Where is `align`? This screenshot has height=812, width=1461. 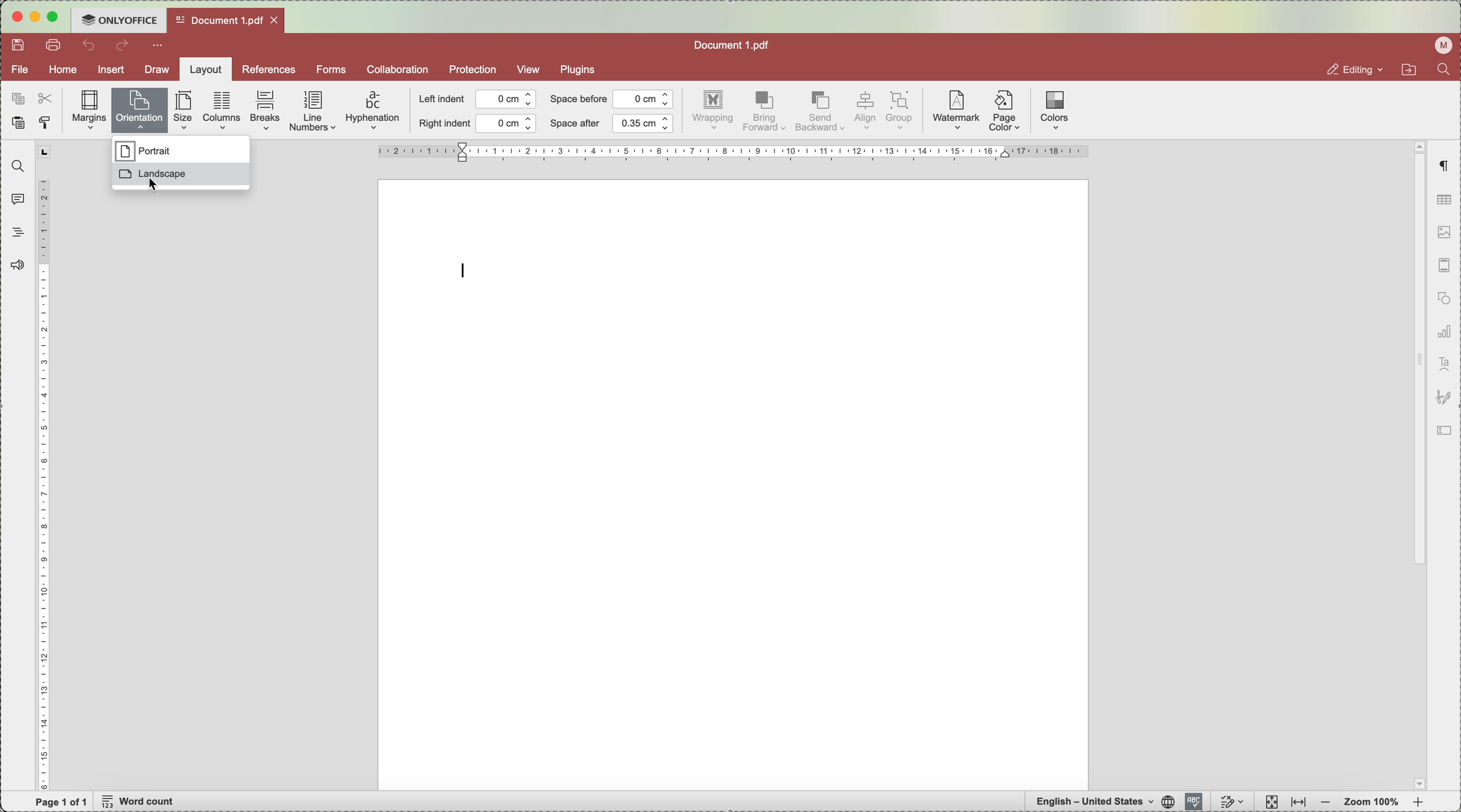
align is located at coordinates (864, 111).